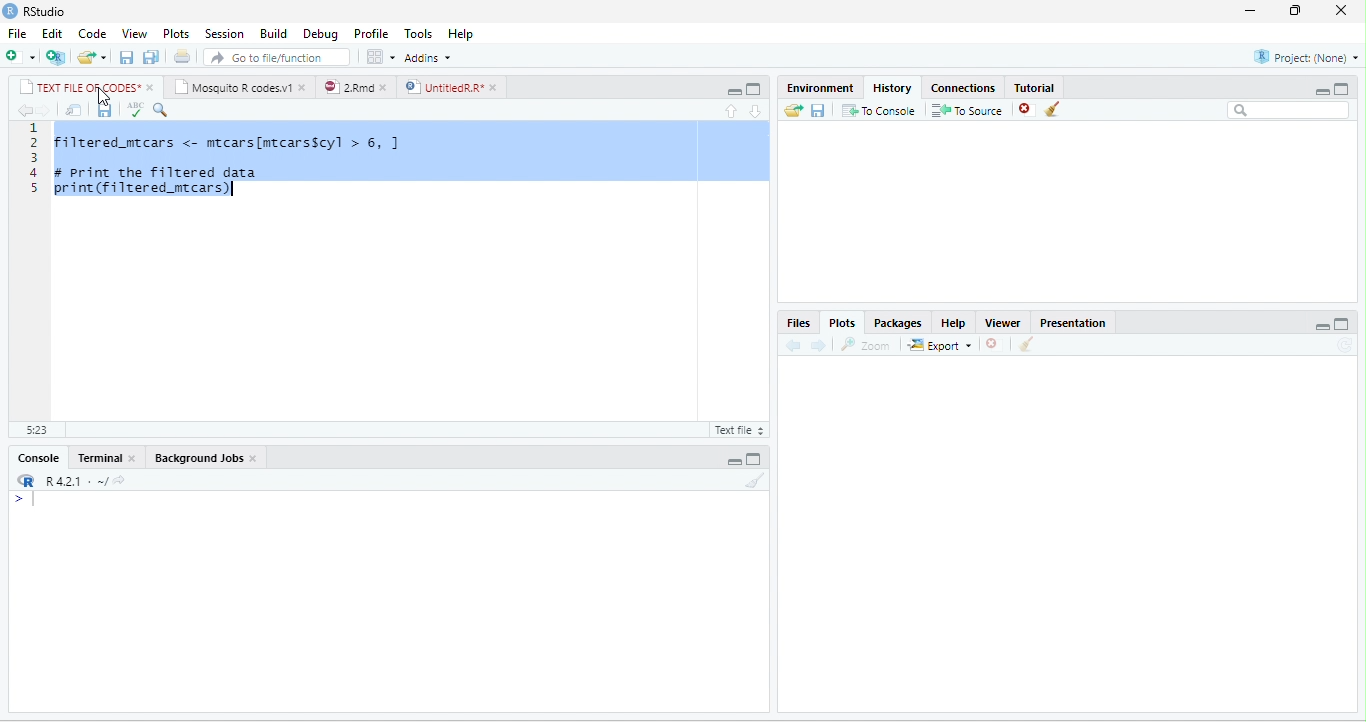  Describe the element at coordinates (273, 33) in the screenshot. I see `Build` at that location.